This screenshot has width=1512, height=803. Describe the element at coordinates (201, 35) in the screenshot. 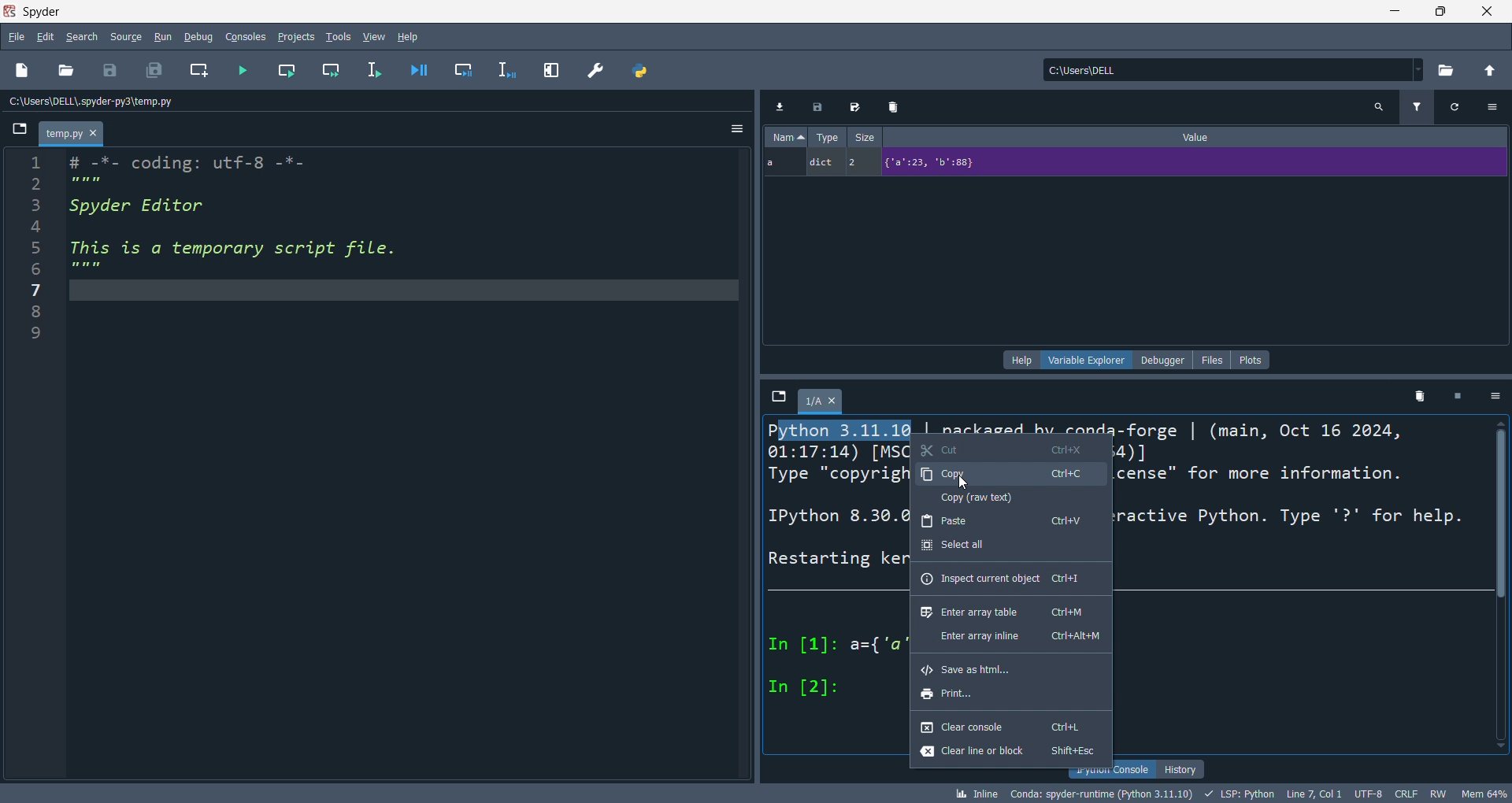

I see `debug` at that location.